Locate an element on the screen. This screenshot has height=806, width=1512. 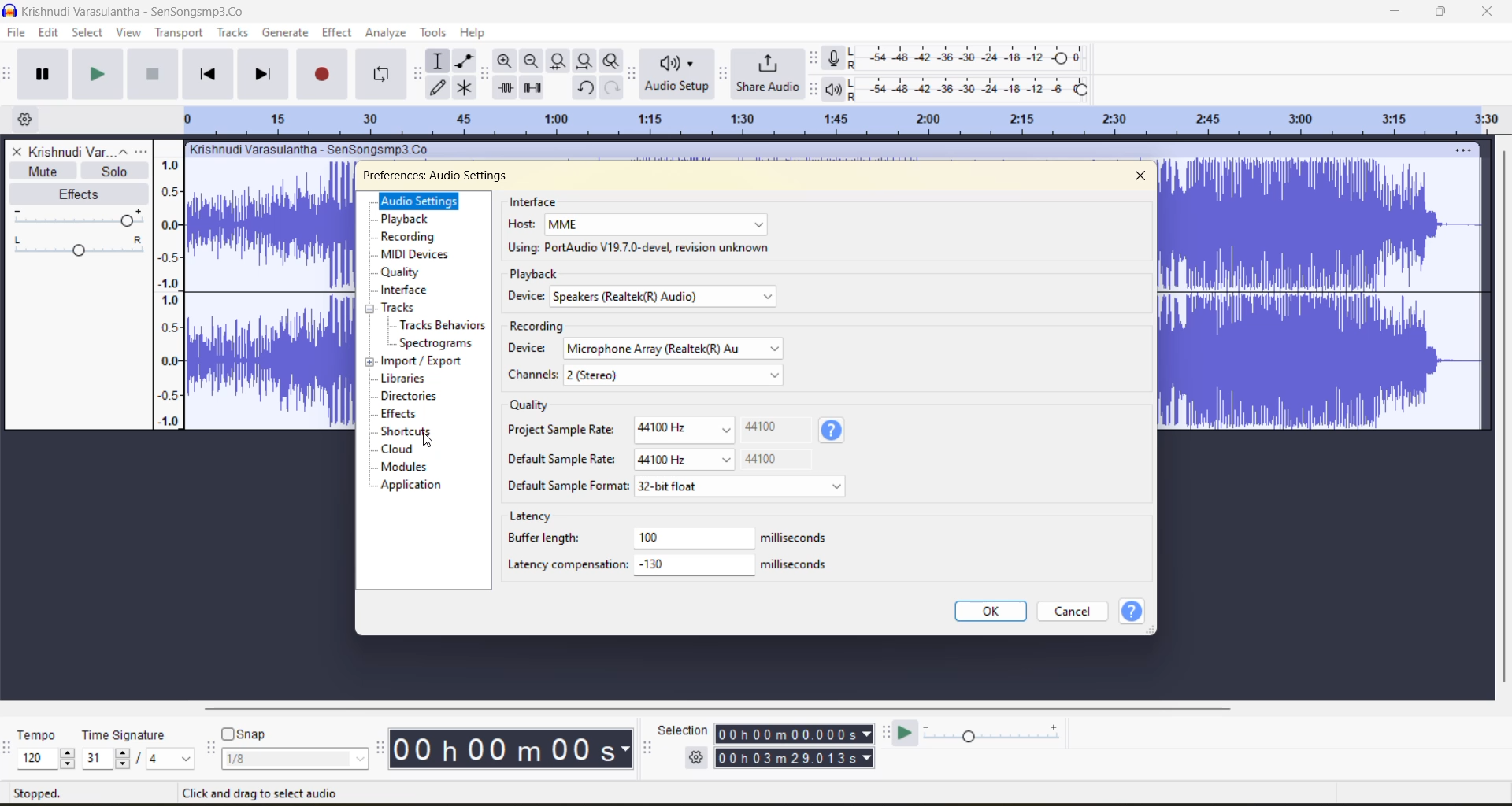
share audio is located at coordinates (766, 76).